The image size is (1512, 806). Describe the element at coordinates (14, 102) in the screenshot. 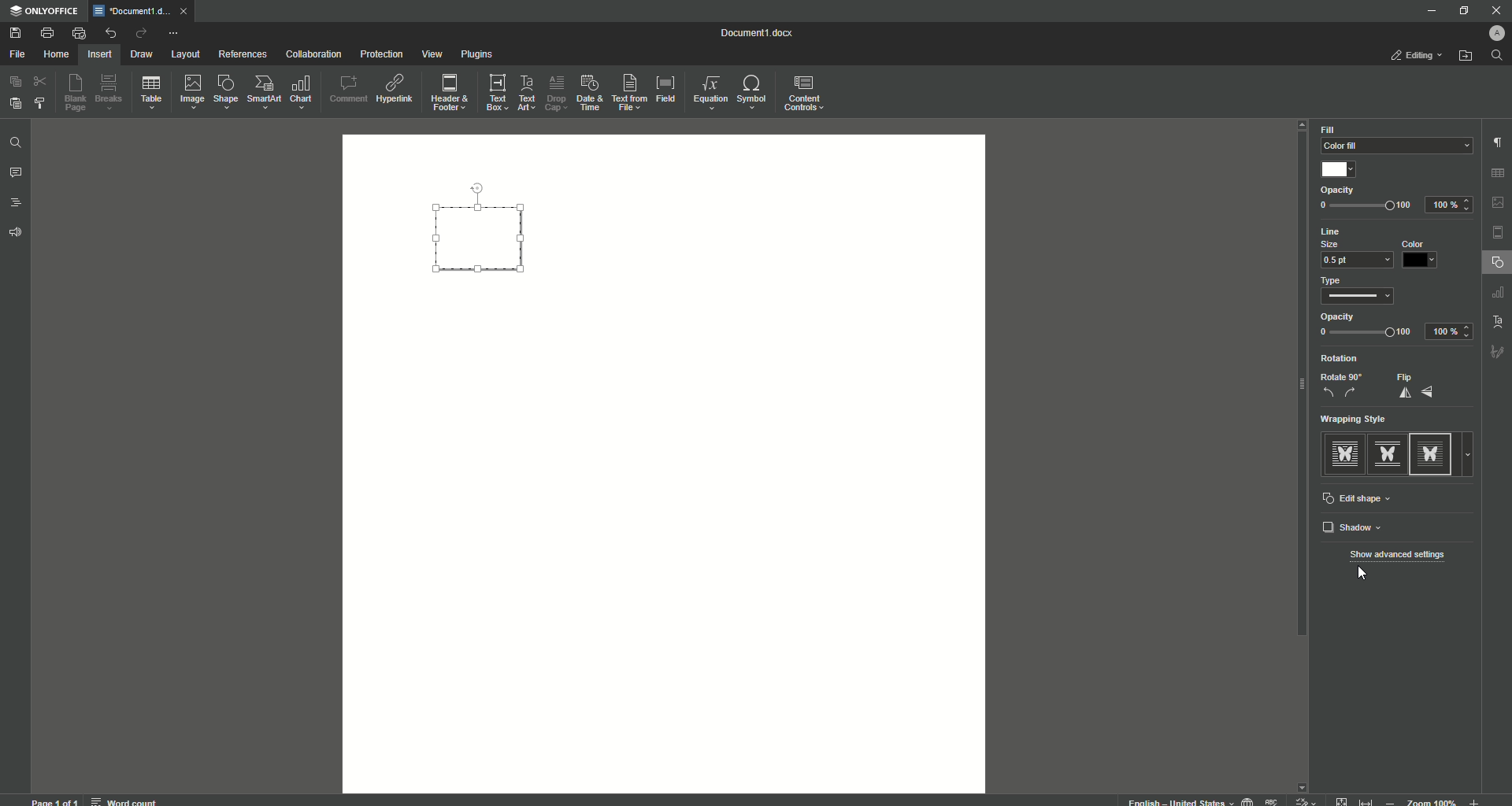

I see `Paste` at that location.